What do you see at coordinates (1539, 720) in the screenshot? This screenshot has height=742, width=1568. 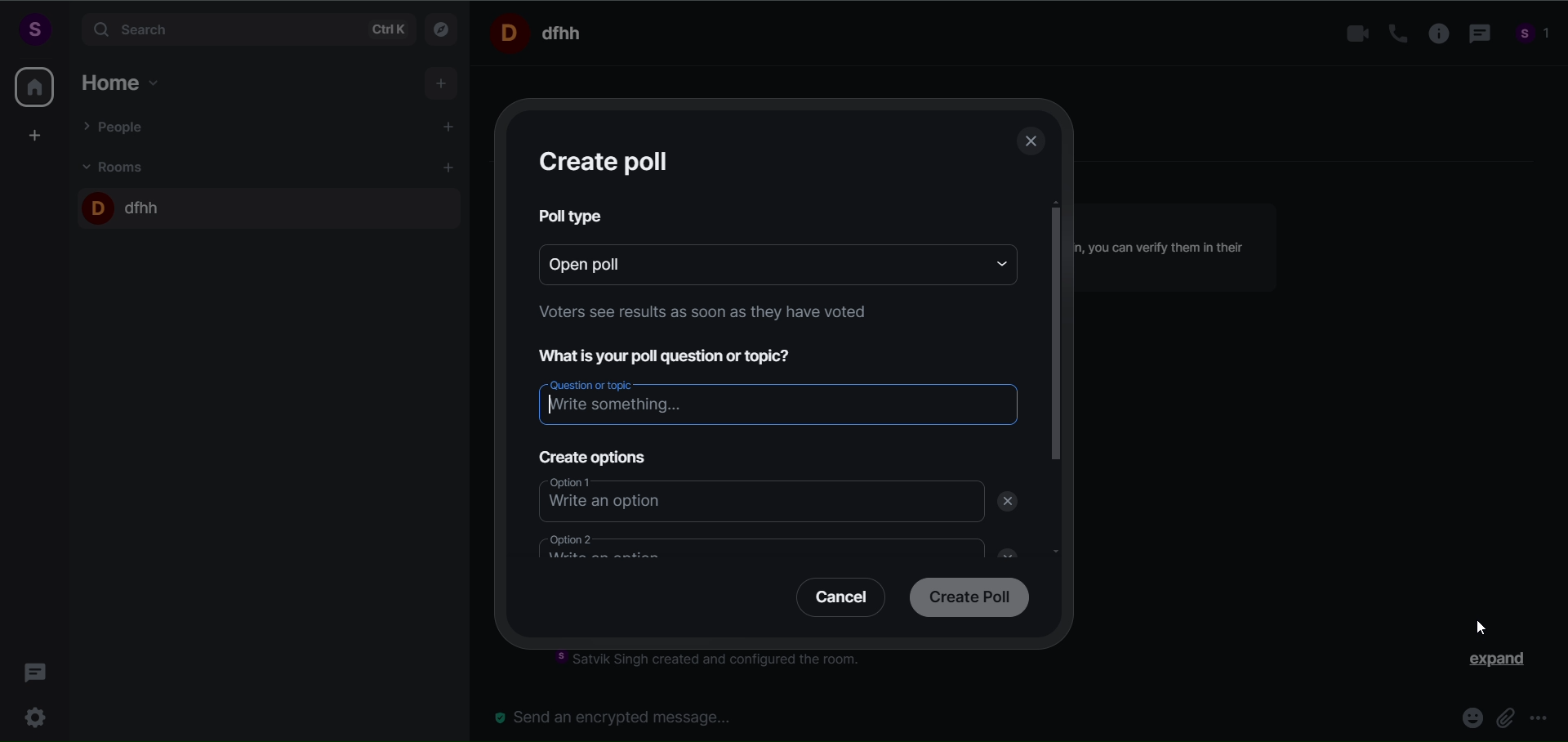 I see `more options` at bounding box center [1539, 720].